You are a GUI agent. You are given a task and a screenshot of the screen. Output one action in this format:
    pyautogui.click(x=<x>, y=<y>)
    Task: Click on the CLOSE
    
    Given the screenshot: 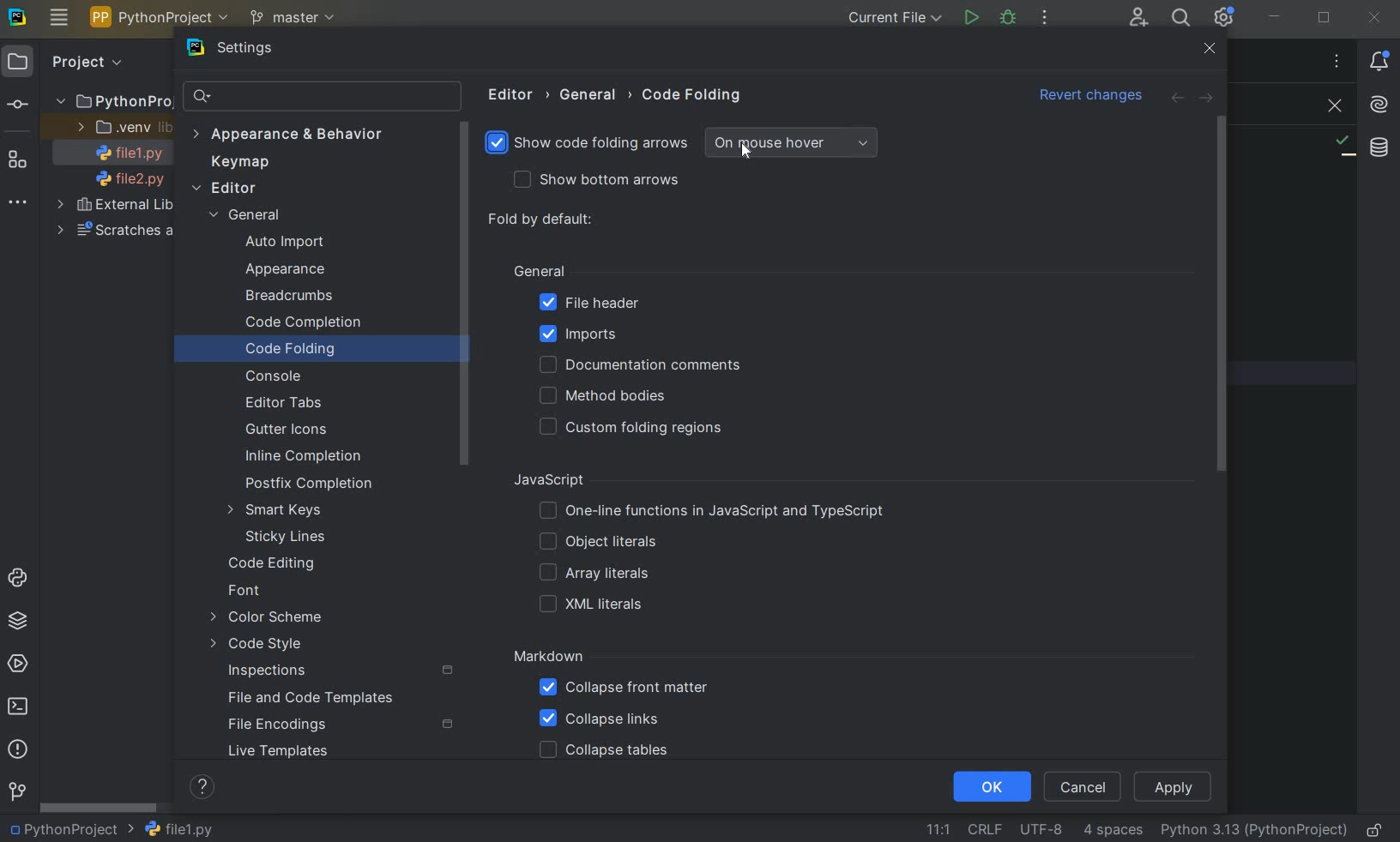 What is the action you would take?
    pyautogui.click(x=1210, y=49)
    